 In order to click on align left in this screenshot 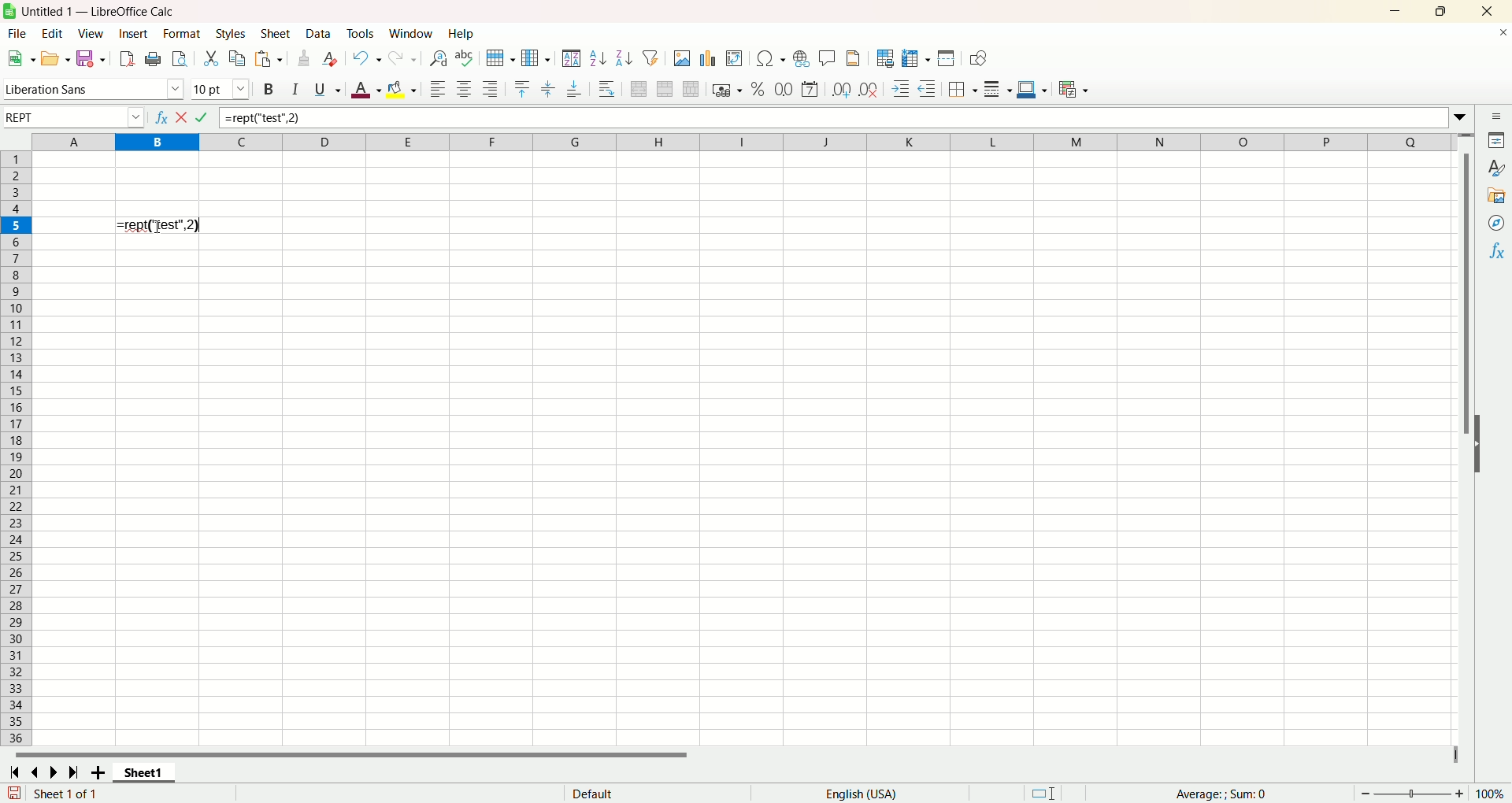, I will do `click(438, 87)`.